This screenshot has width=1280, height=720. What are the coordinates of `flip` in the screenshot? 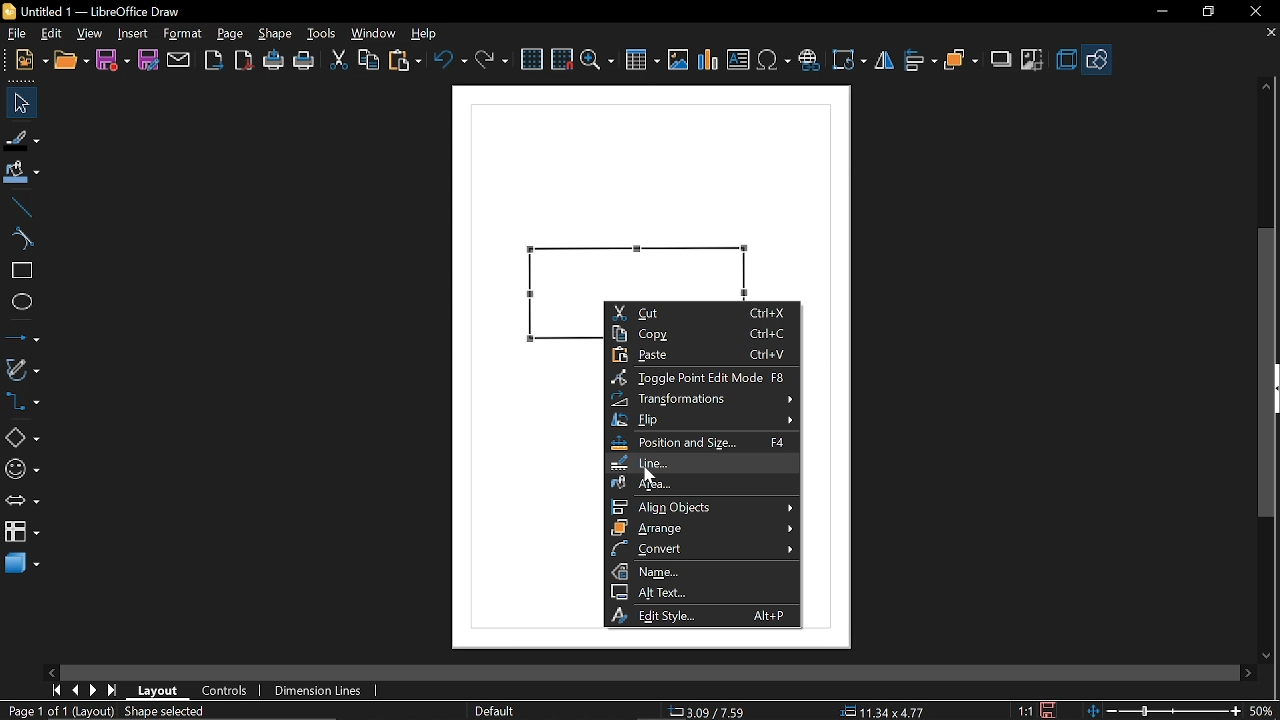 It's located at (699, 420).